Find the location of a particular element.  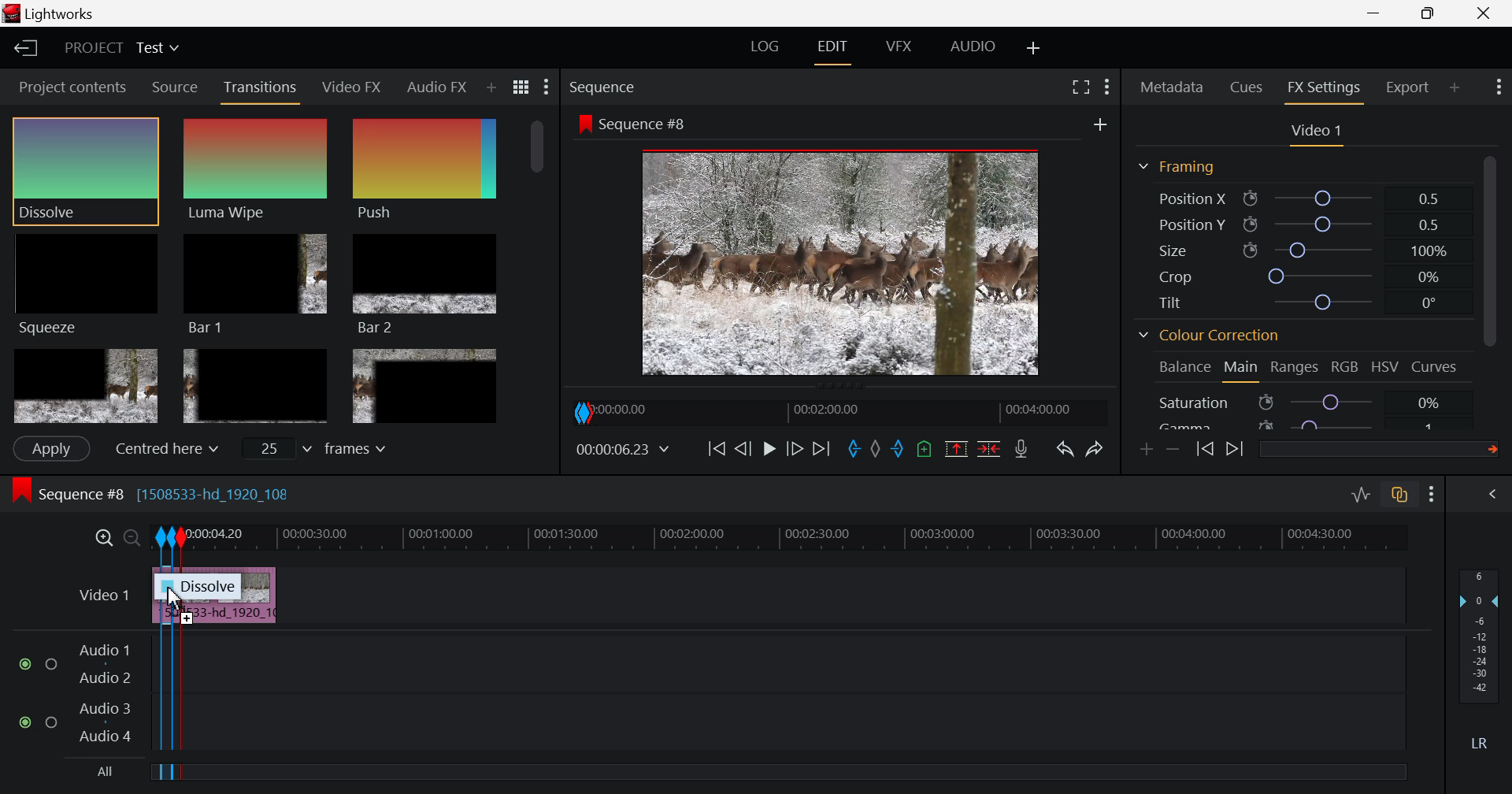

Export is located at coordinates (1409, 87).